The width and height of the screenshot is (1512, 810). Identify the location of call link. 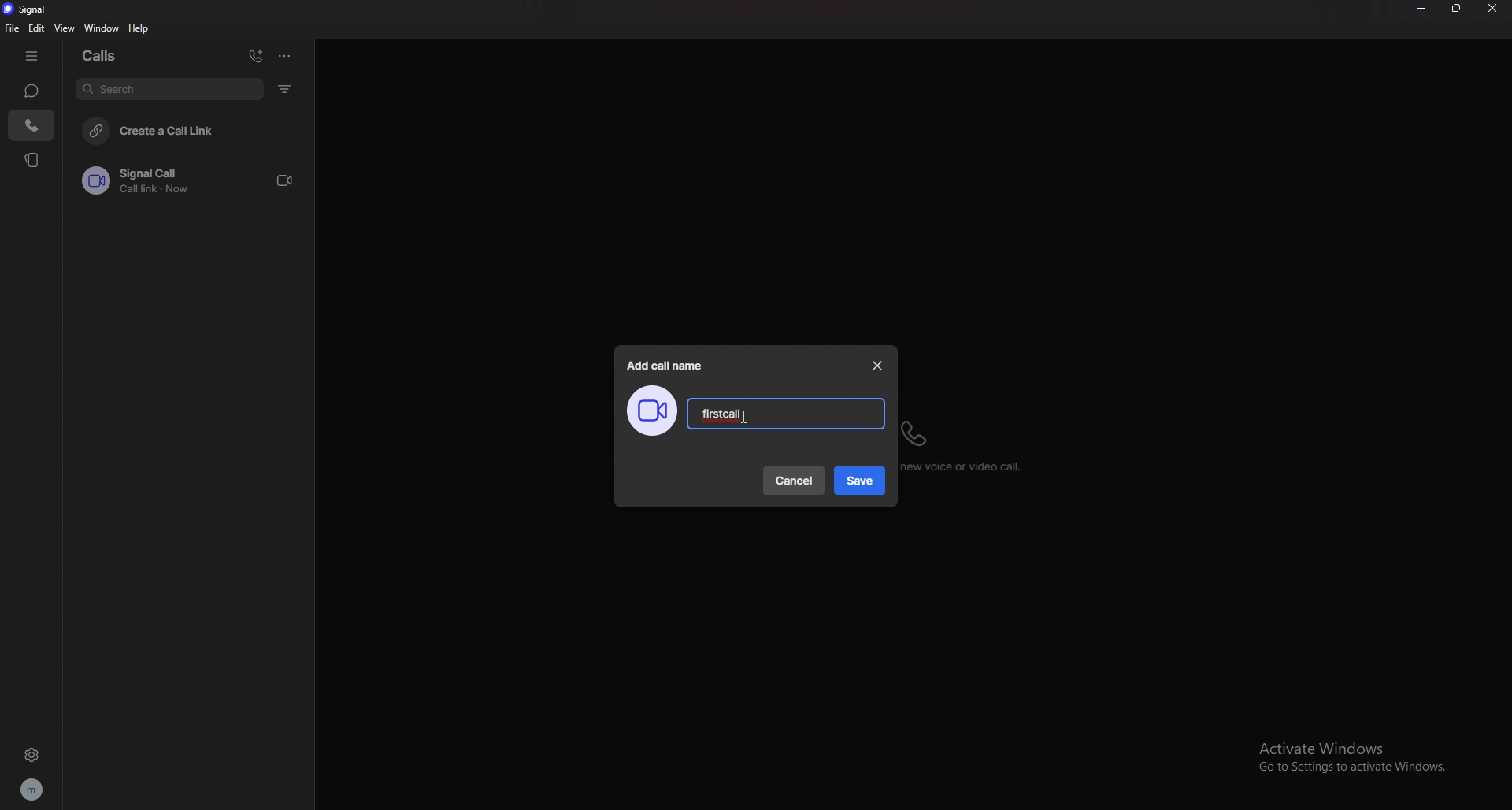
(195, 180).